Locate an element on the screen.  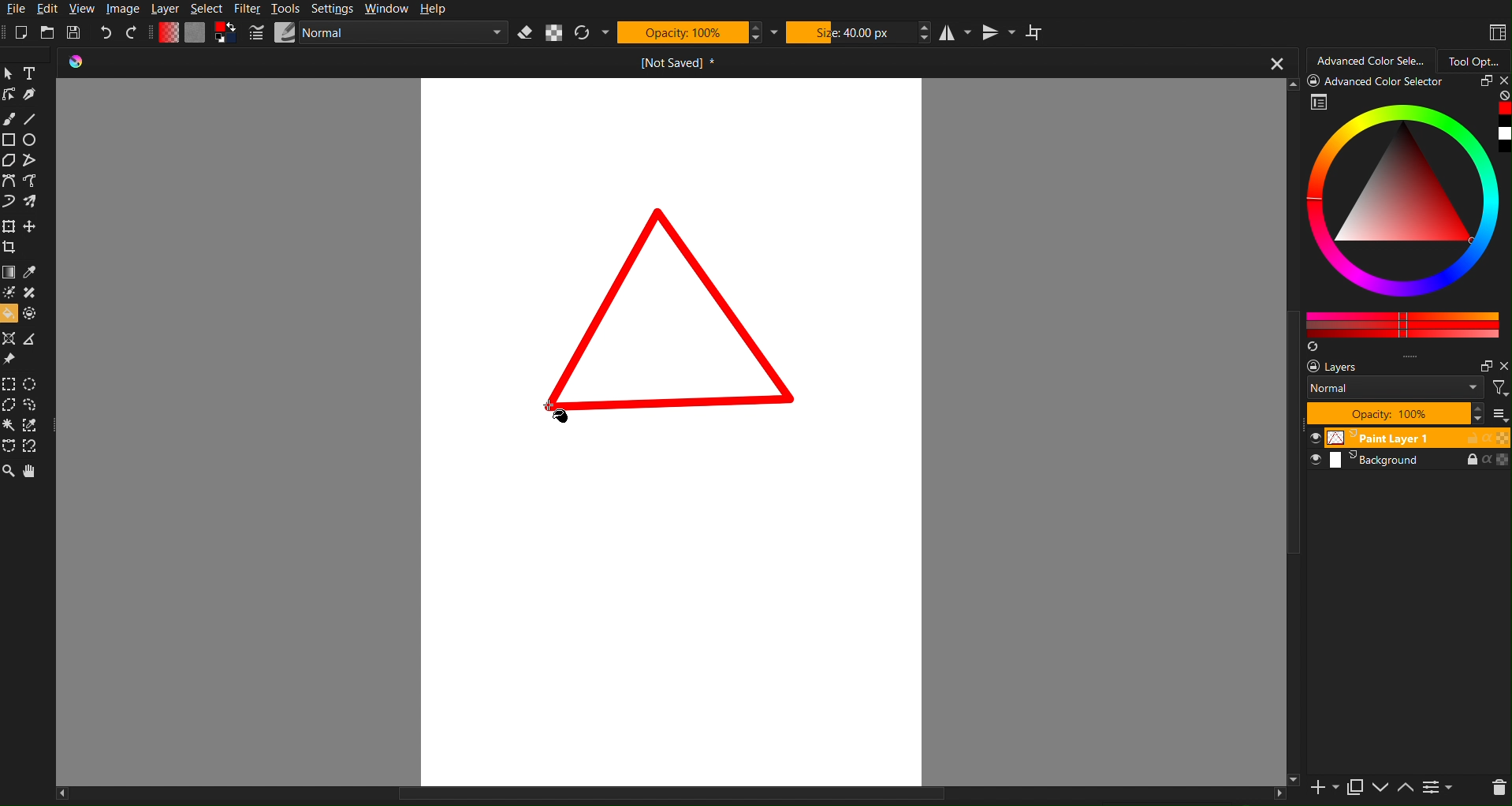
bezier curve Selection Tools is located at coordinates (11, 446).